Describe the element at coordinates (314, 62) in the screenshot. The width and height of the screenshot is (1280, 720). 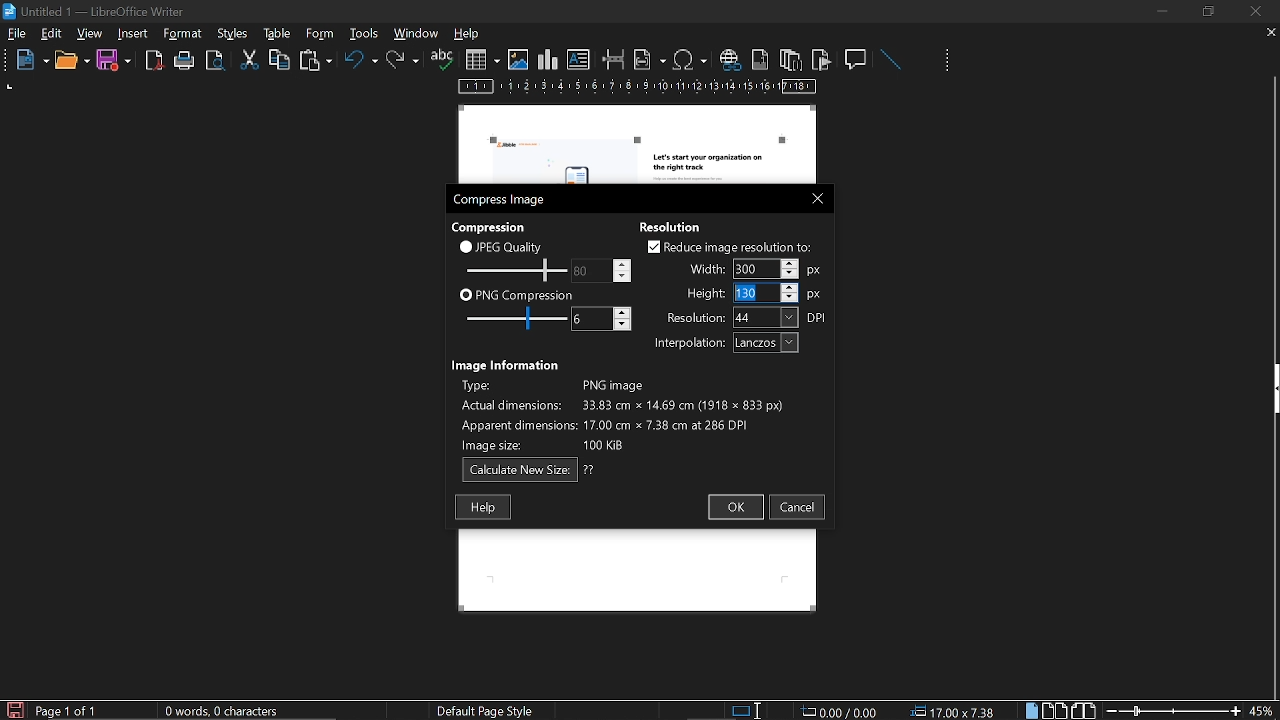
I see `paste` at that location.